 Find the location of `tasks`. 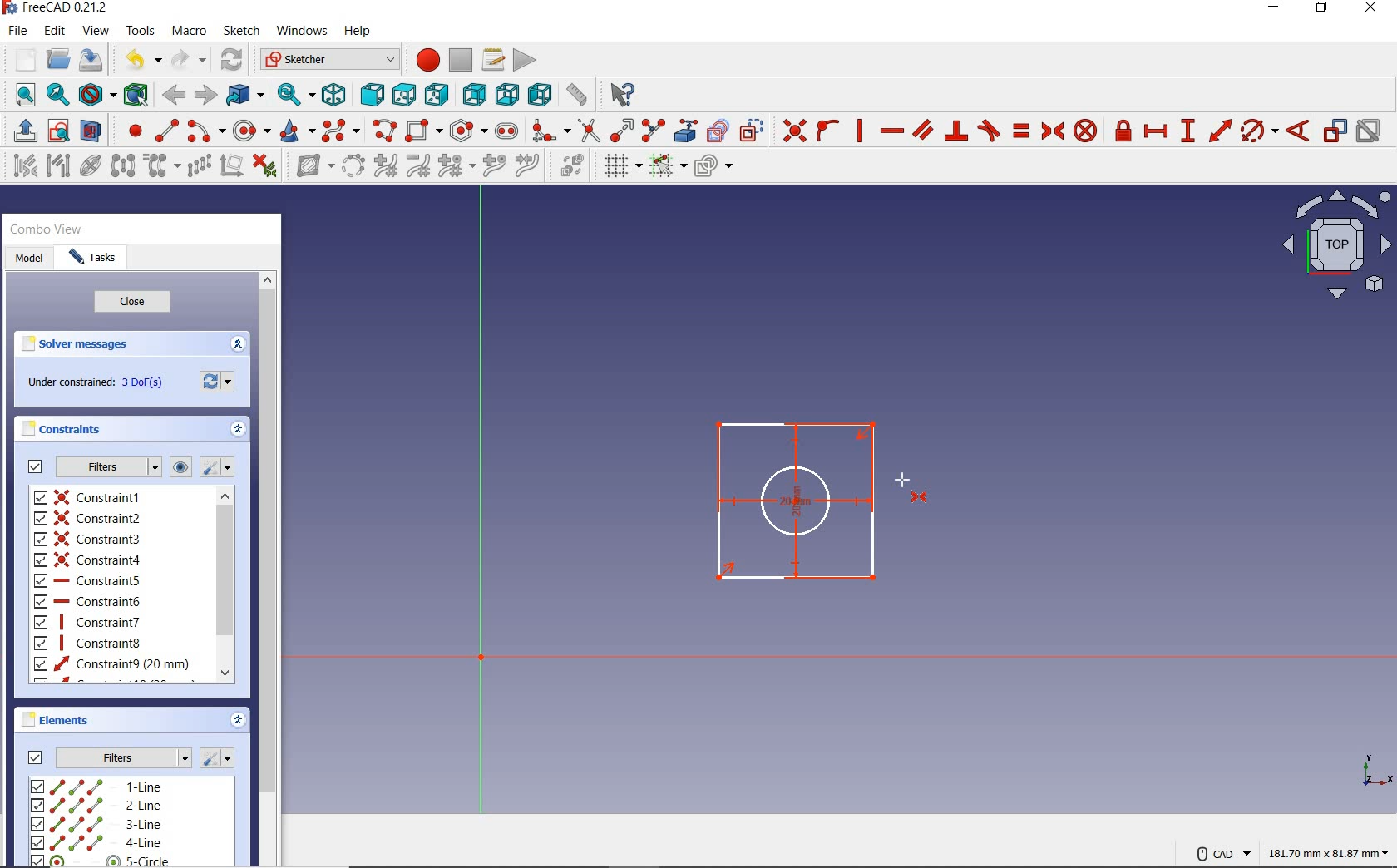

tasks is located at coordinates (96, 257).